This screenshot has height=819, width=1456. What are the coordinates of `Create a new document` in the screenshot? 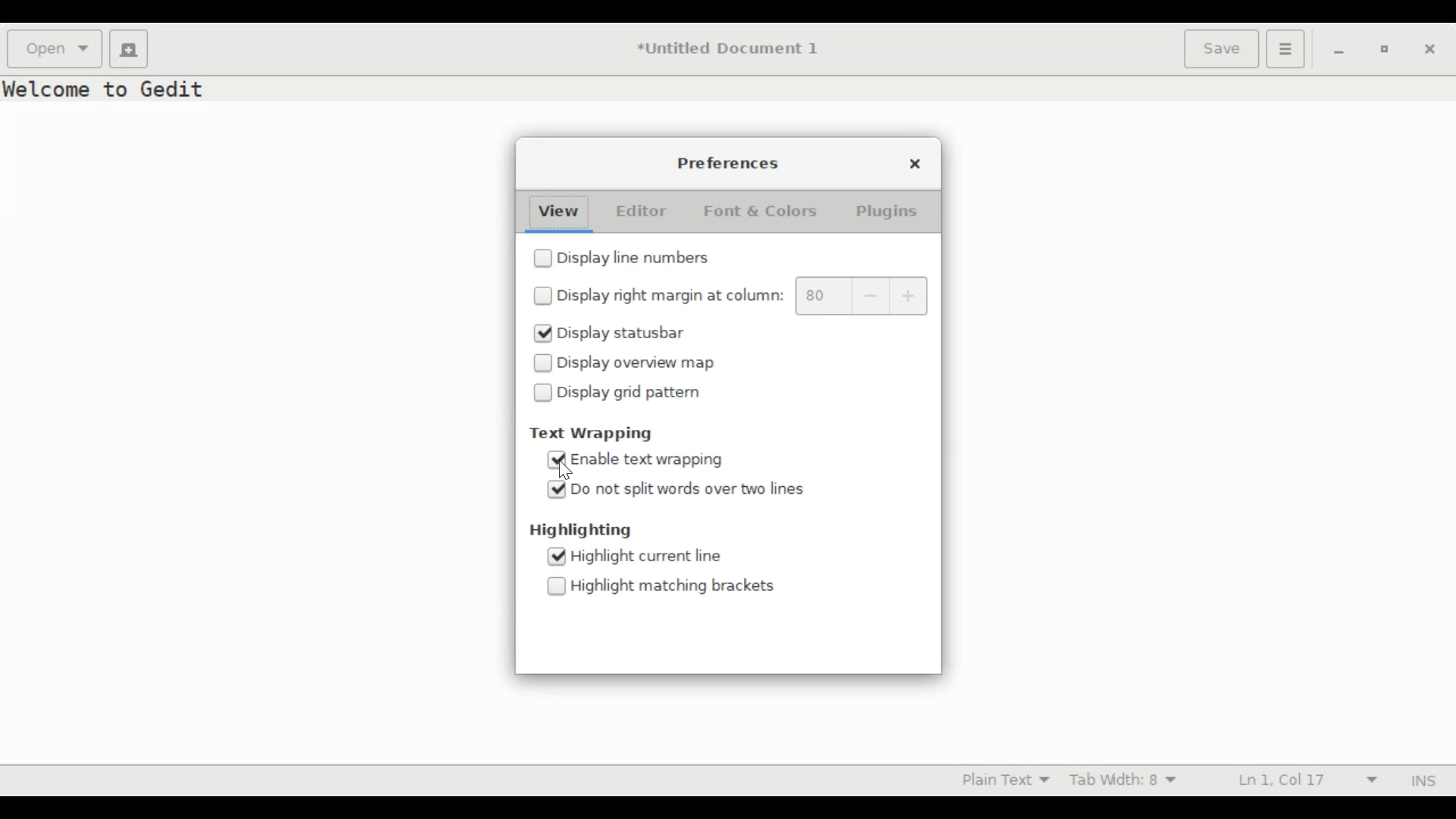 It's located at (127, 48).